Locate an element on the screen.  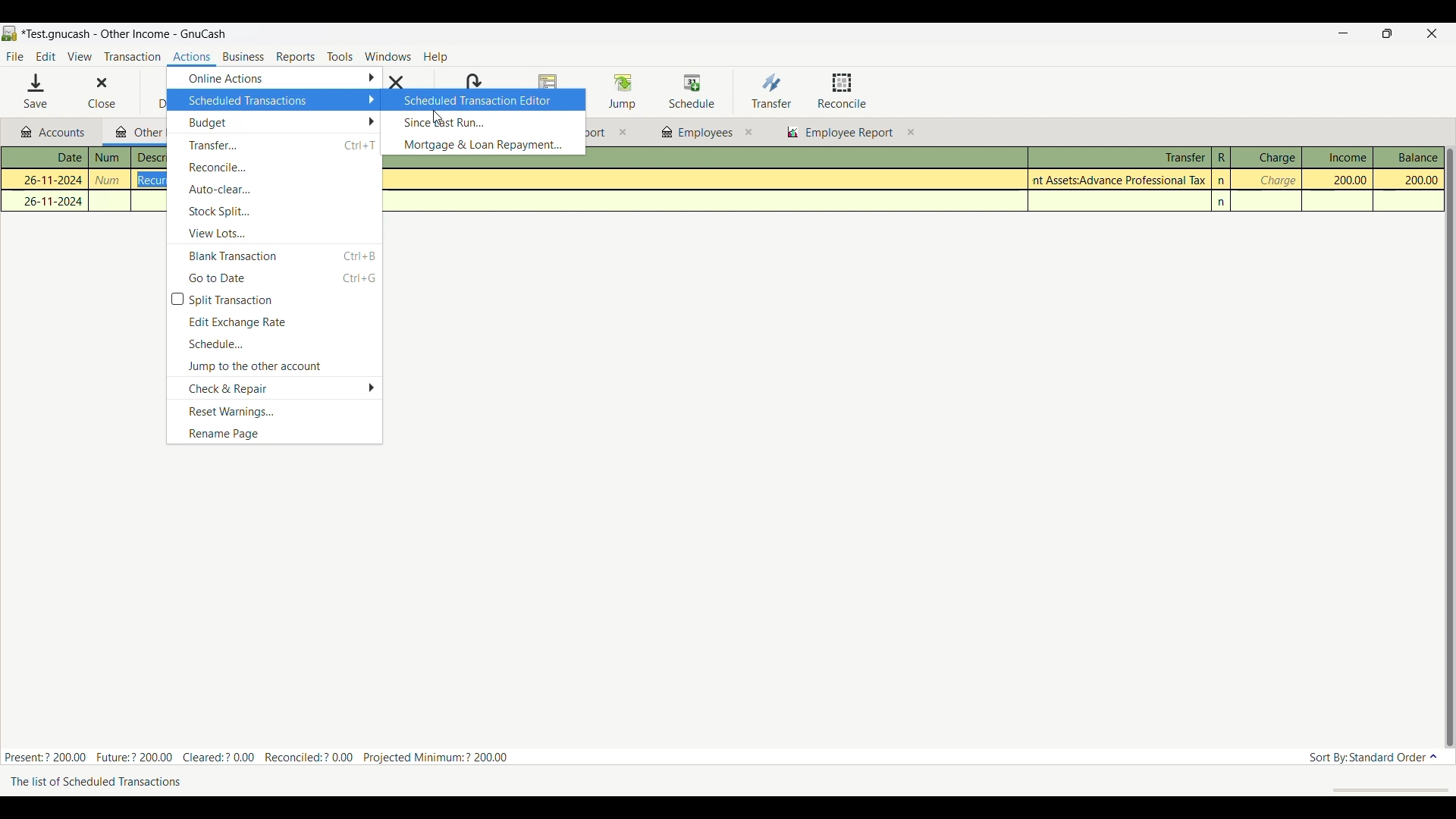
Close is located at coordinates (91, 93).